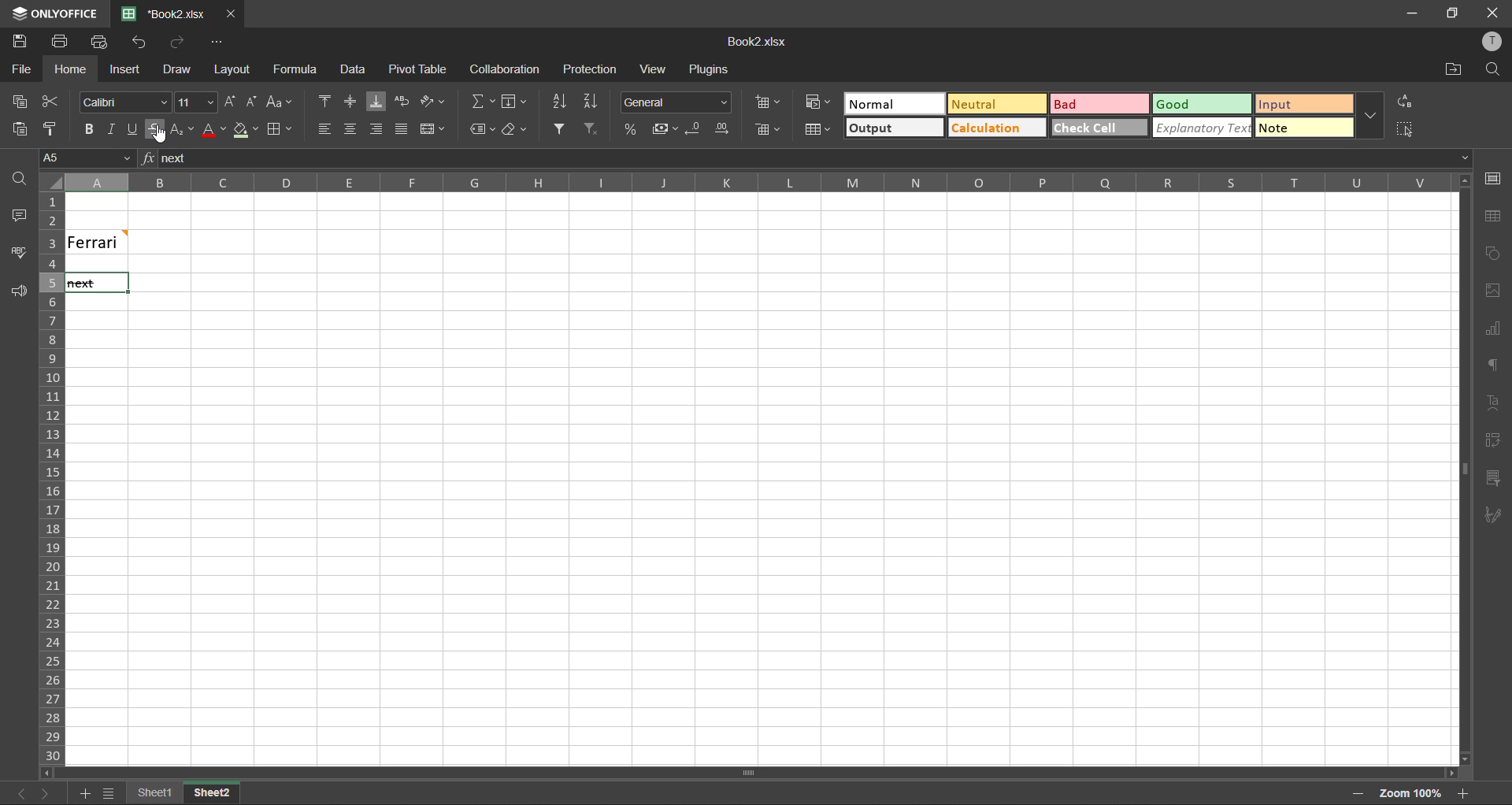 This screenshot has height=805, width=1512. What do you see at coordinates (1497, 366) in the screenshot?
I see `paragraph` at bounding box center [1497, 366].